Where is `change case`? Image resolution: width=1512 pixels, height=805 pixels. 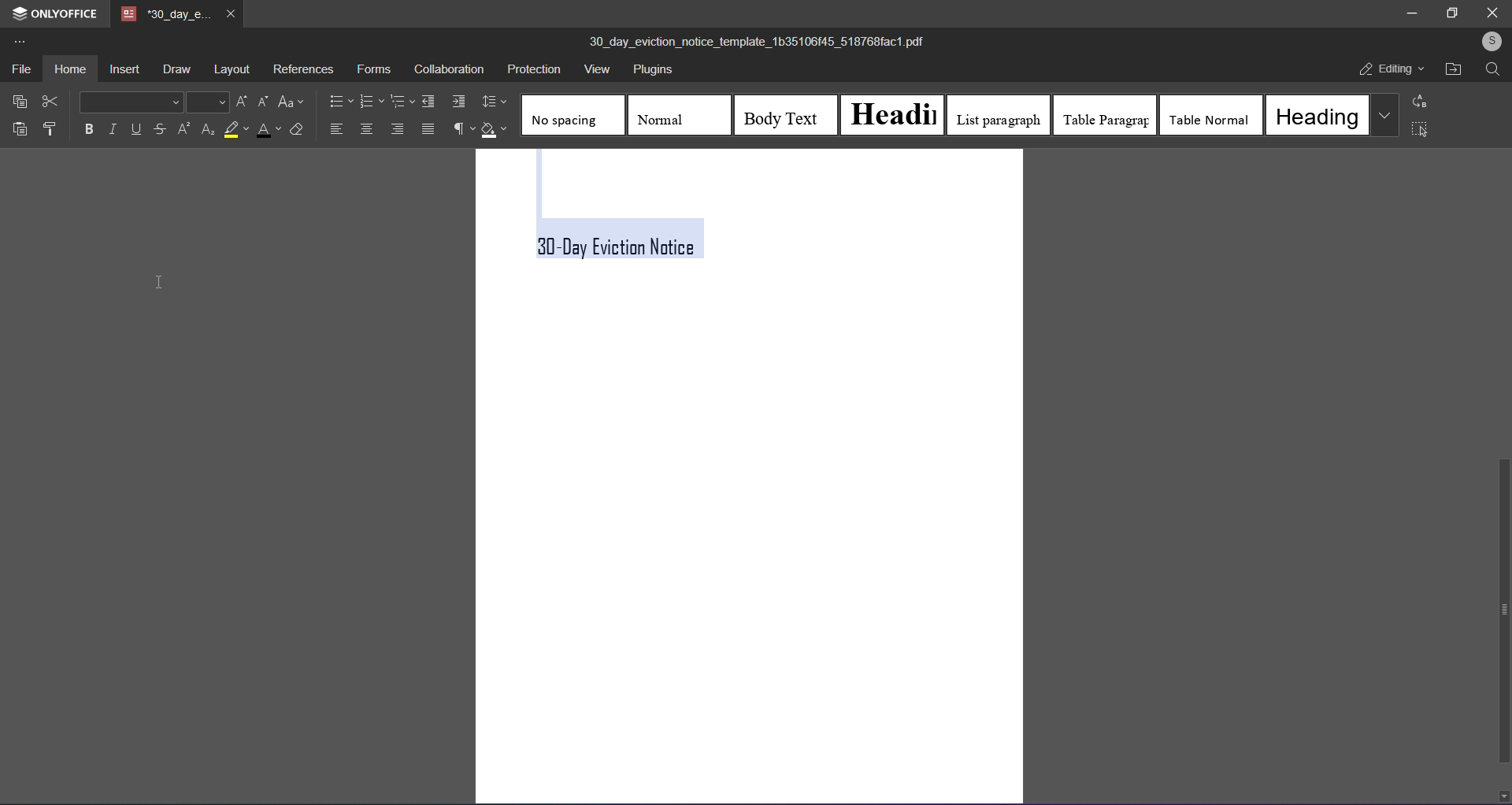 change case is located at coordinates (293, 102).